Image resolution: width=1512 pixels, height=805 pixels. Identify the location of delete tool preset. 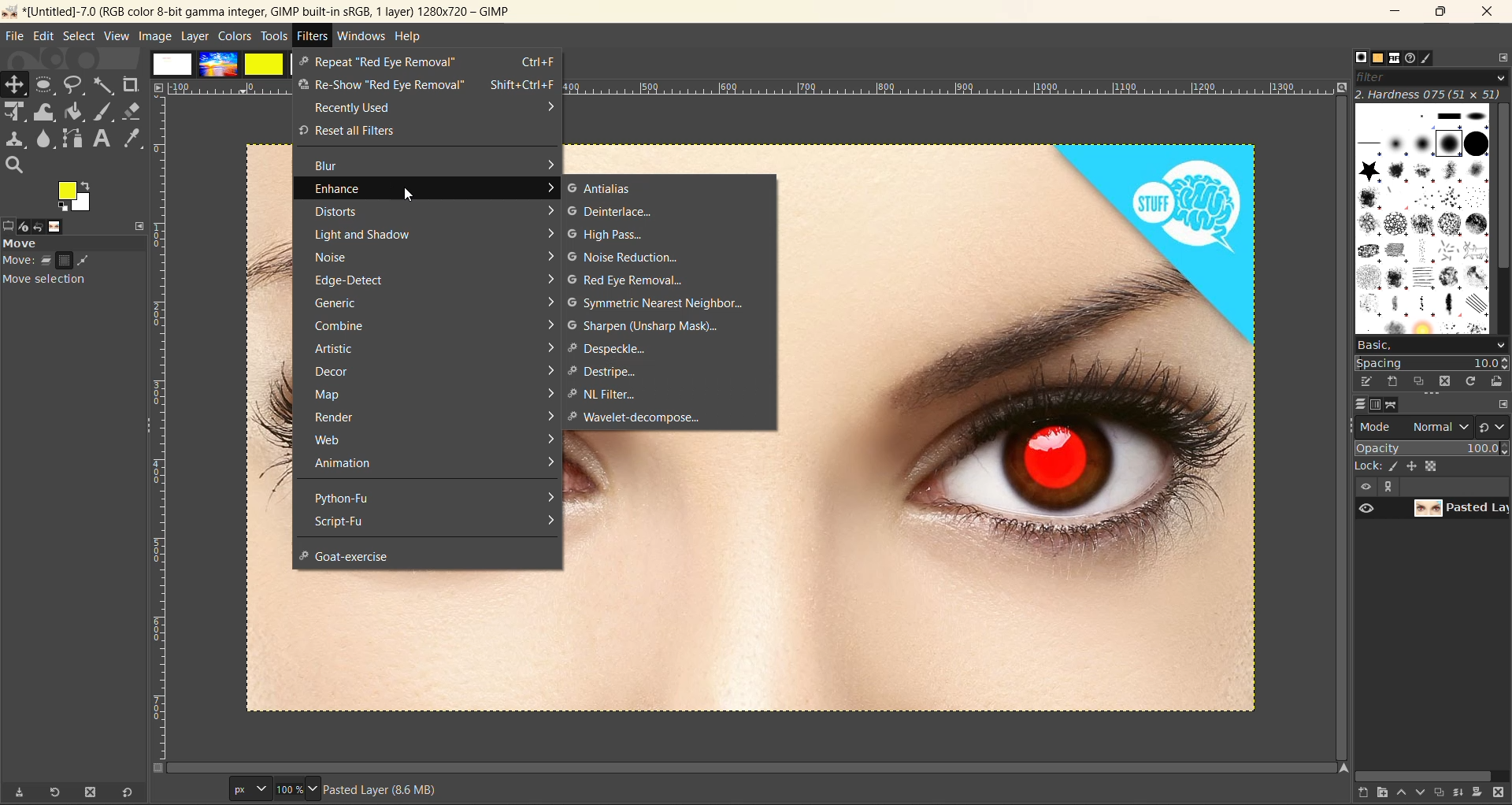
(92, 793).